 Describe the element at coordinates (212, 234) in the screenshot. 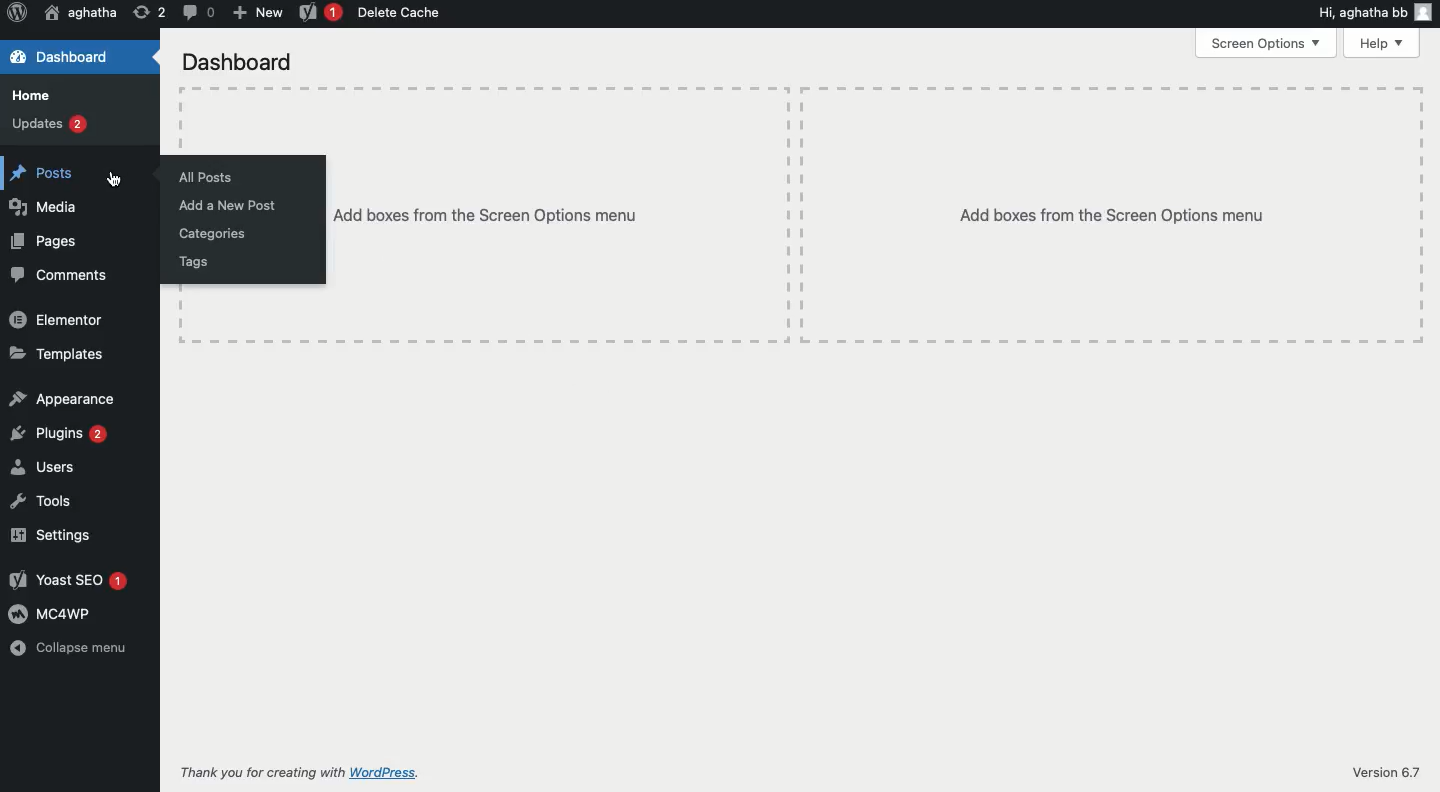

I see `Categories` at that location.